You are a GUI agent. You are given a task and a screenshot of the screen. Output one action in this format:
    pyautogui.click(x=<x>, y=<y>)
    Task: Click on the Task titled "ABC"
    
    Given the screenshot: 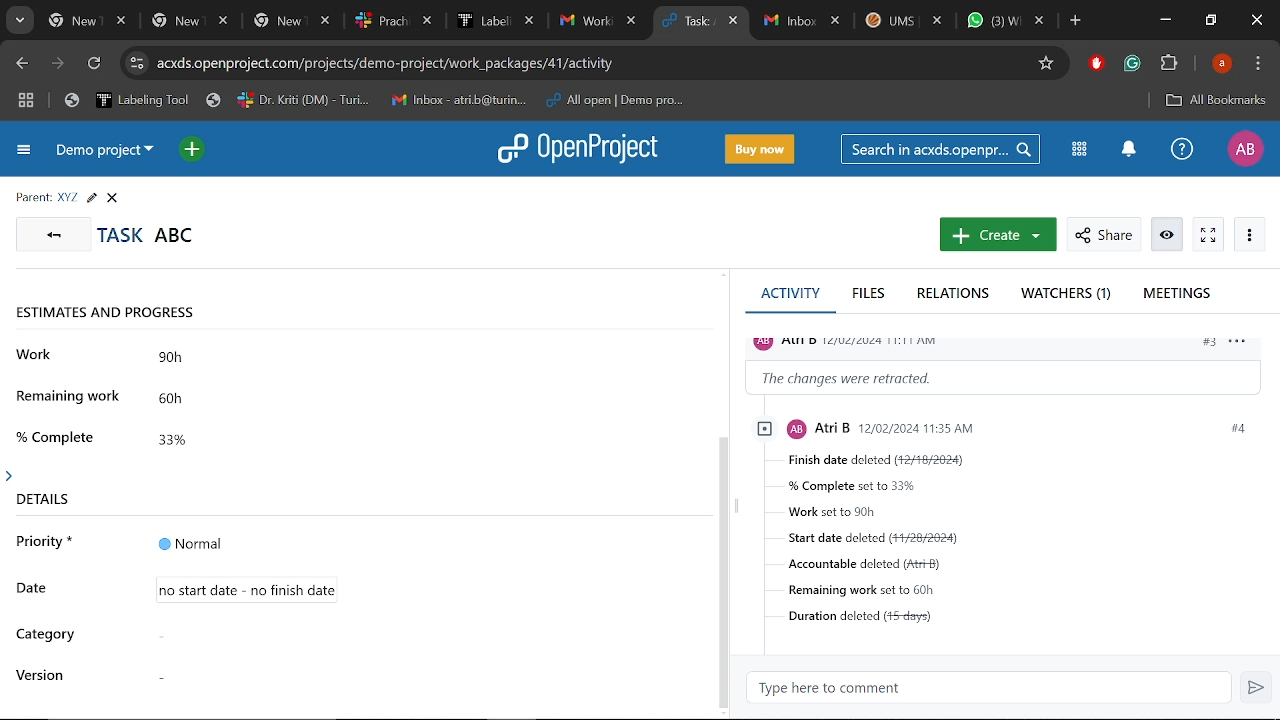 What is the action you would take?
    pyautogui.click(x=146, y=234)
    